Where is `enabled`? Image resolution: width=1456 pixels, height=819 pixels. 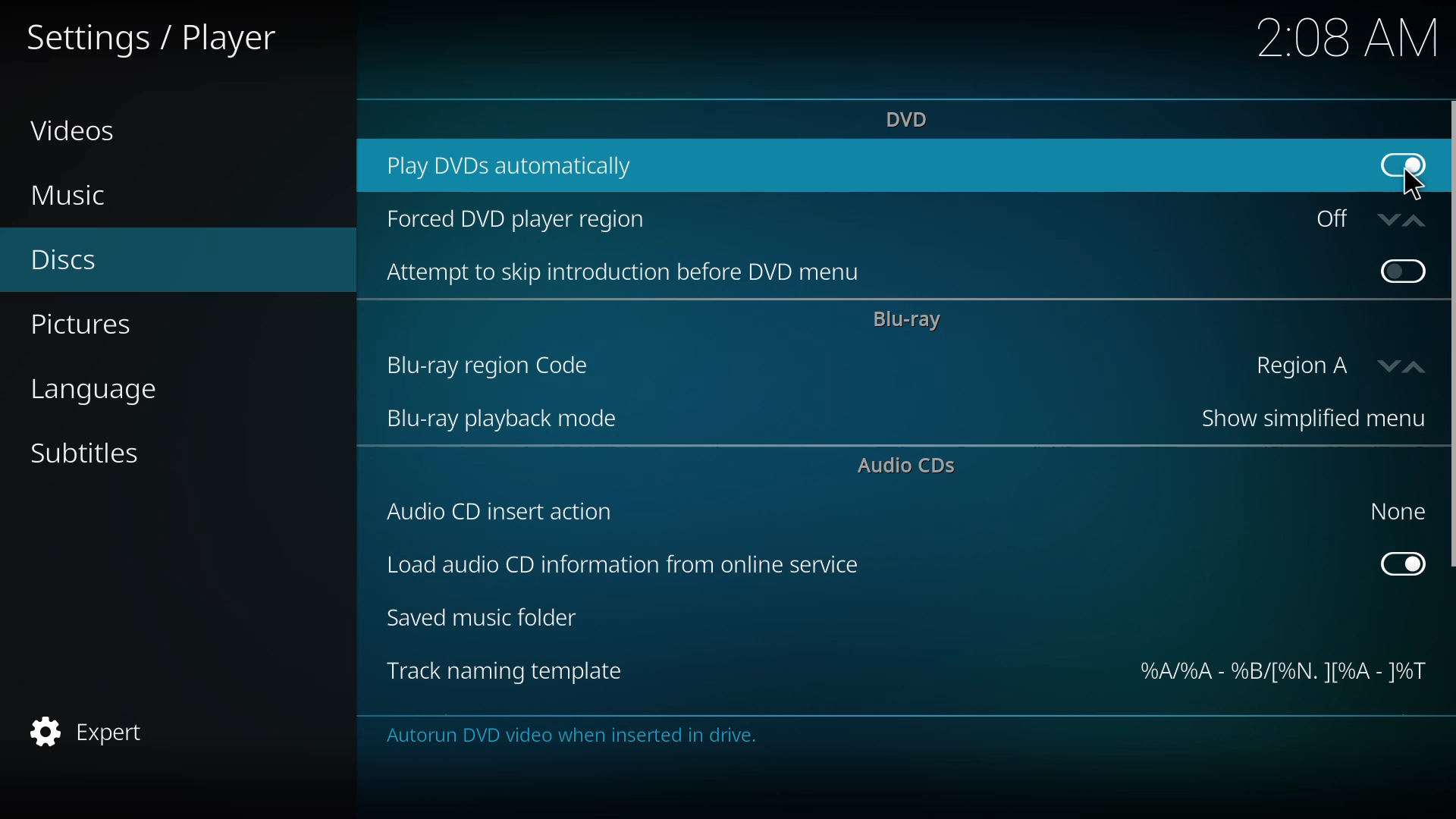 enabled is located at coordinates (1403, 562).